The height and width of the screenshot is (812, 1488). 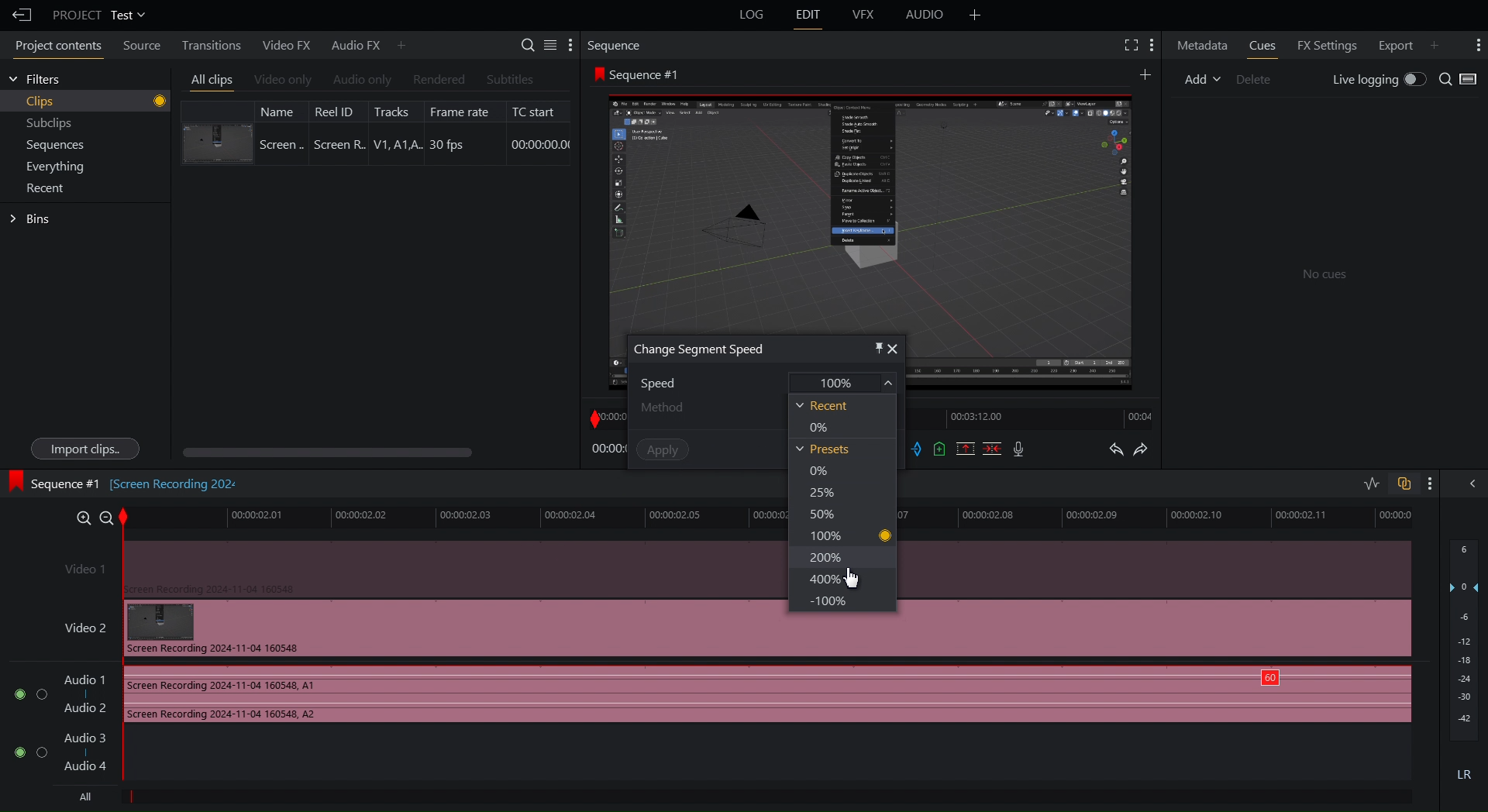 What do you see at coordinates (608, 449) in the screenshot?
I see `Timestamp` at bounding box center [608, 449].